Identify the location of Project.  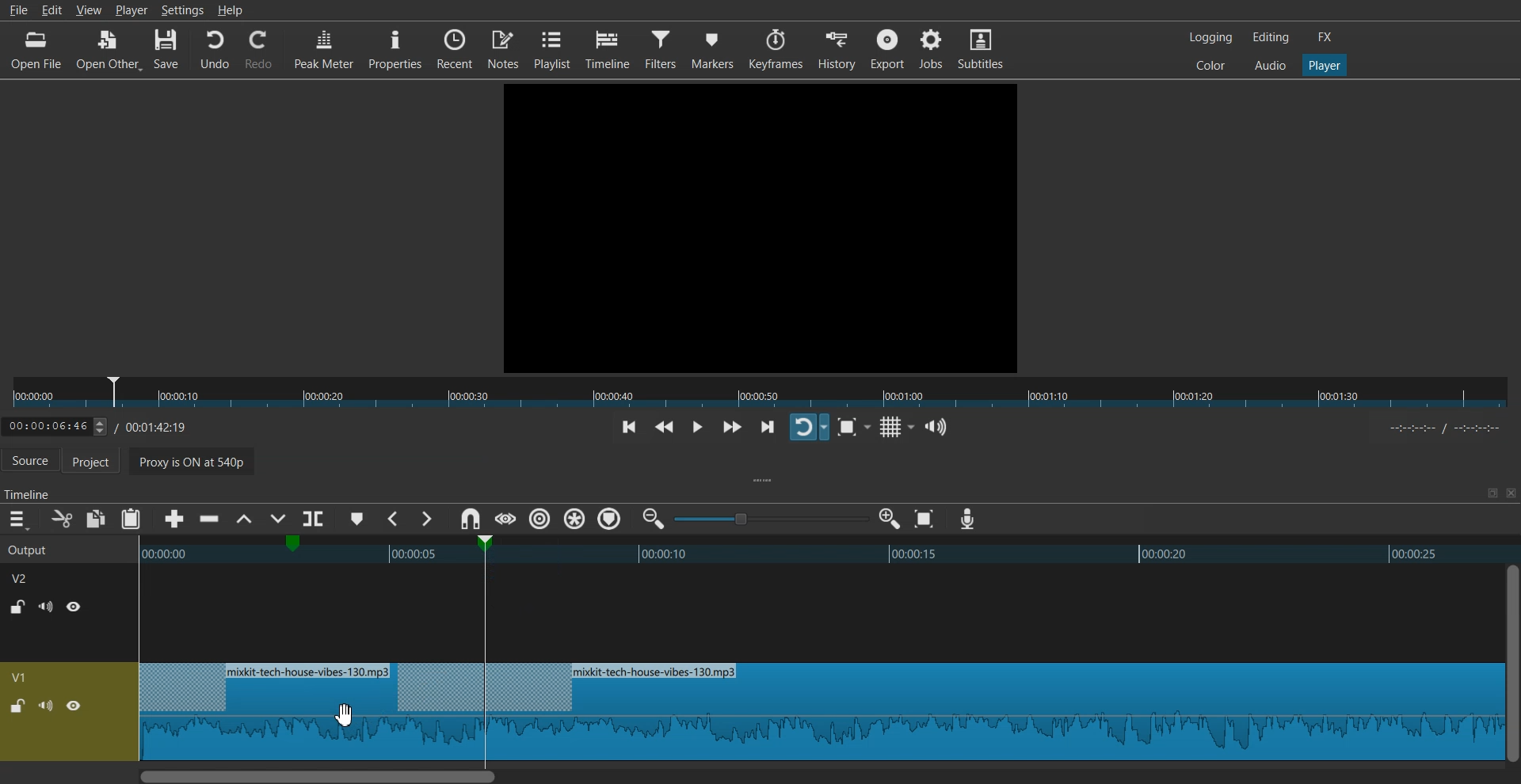
(99, 462).